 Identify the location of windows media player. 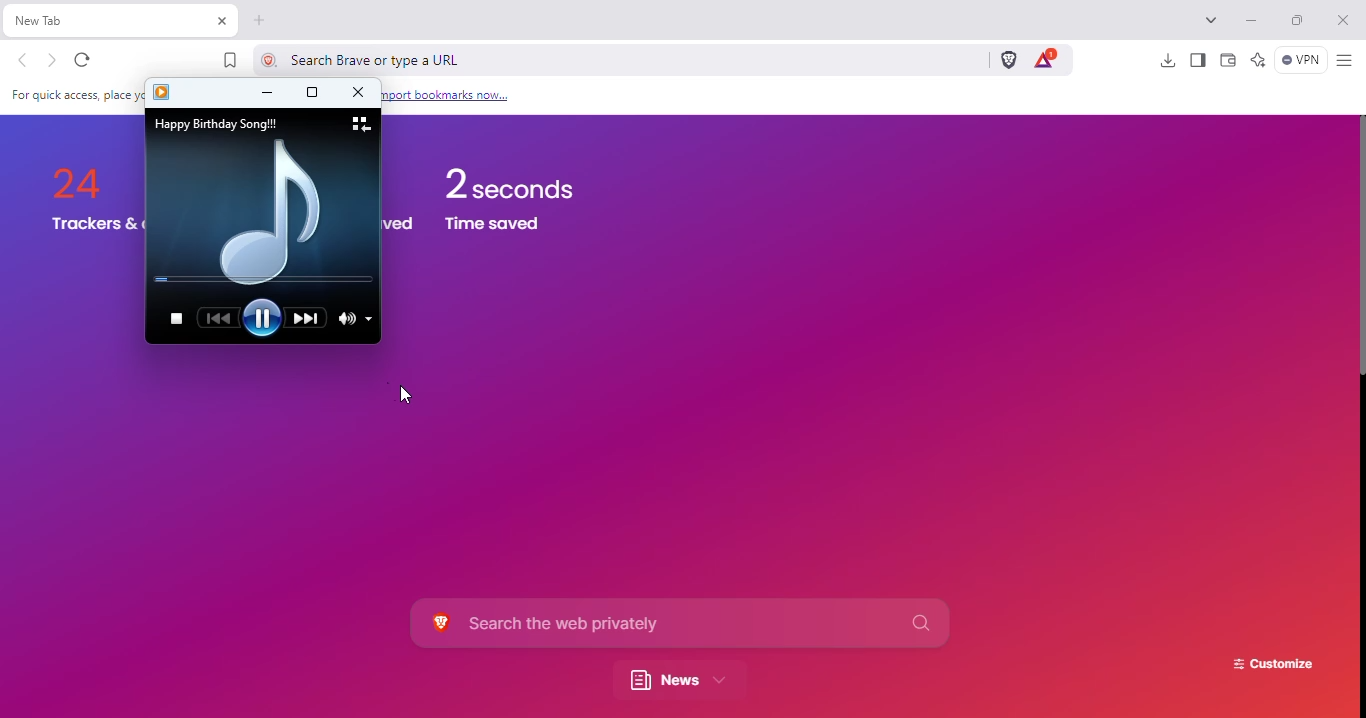
(162, 92).